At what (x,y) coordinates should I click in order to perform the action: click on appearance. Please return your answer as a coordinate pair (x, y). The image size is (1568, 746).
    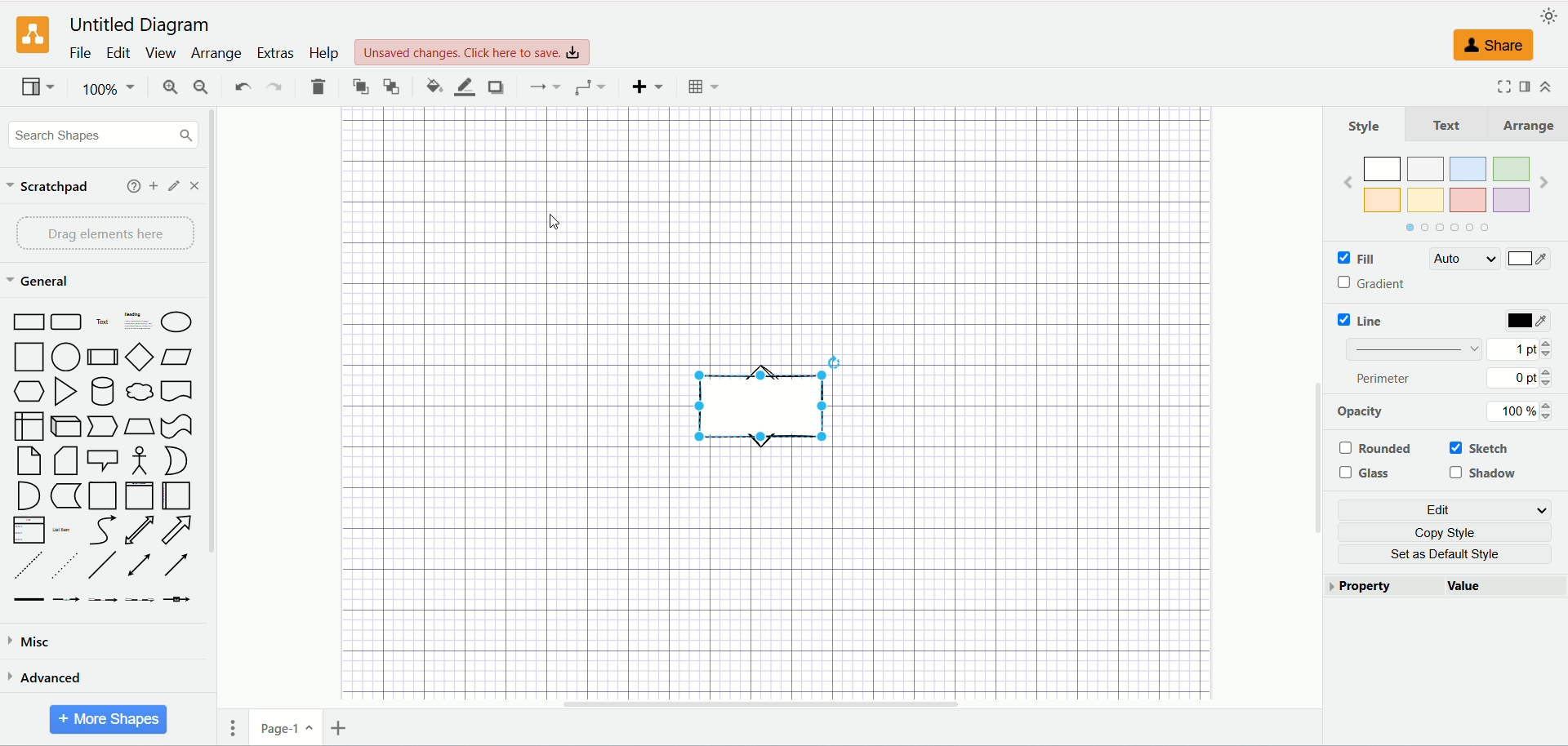
    Looking at the image, I should click on (1549, 16).